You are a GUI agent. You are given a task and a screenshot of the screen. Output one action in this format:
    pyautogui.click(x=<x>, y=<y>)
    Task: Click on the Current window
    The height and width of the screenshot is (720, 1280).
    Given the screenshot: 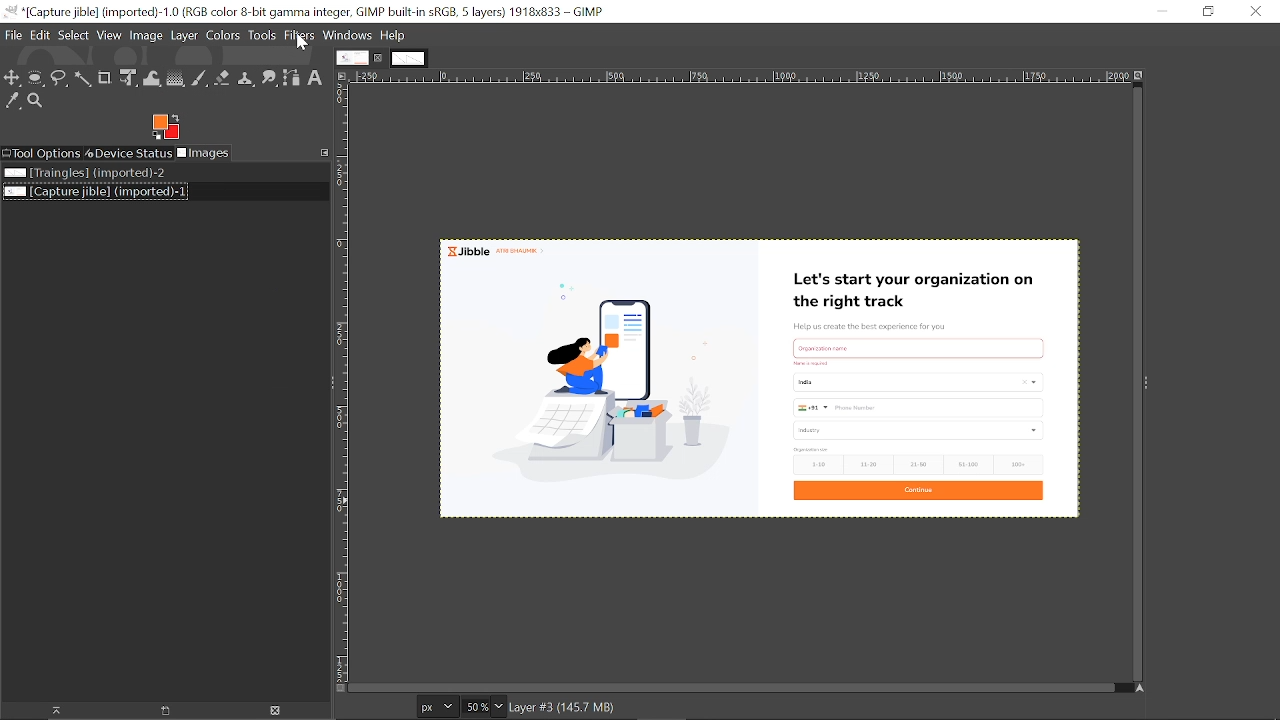 What is the action you would take?
    pyautogui.click(x=306, y=11)
    